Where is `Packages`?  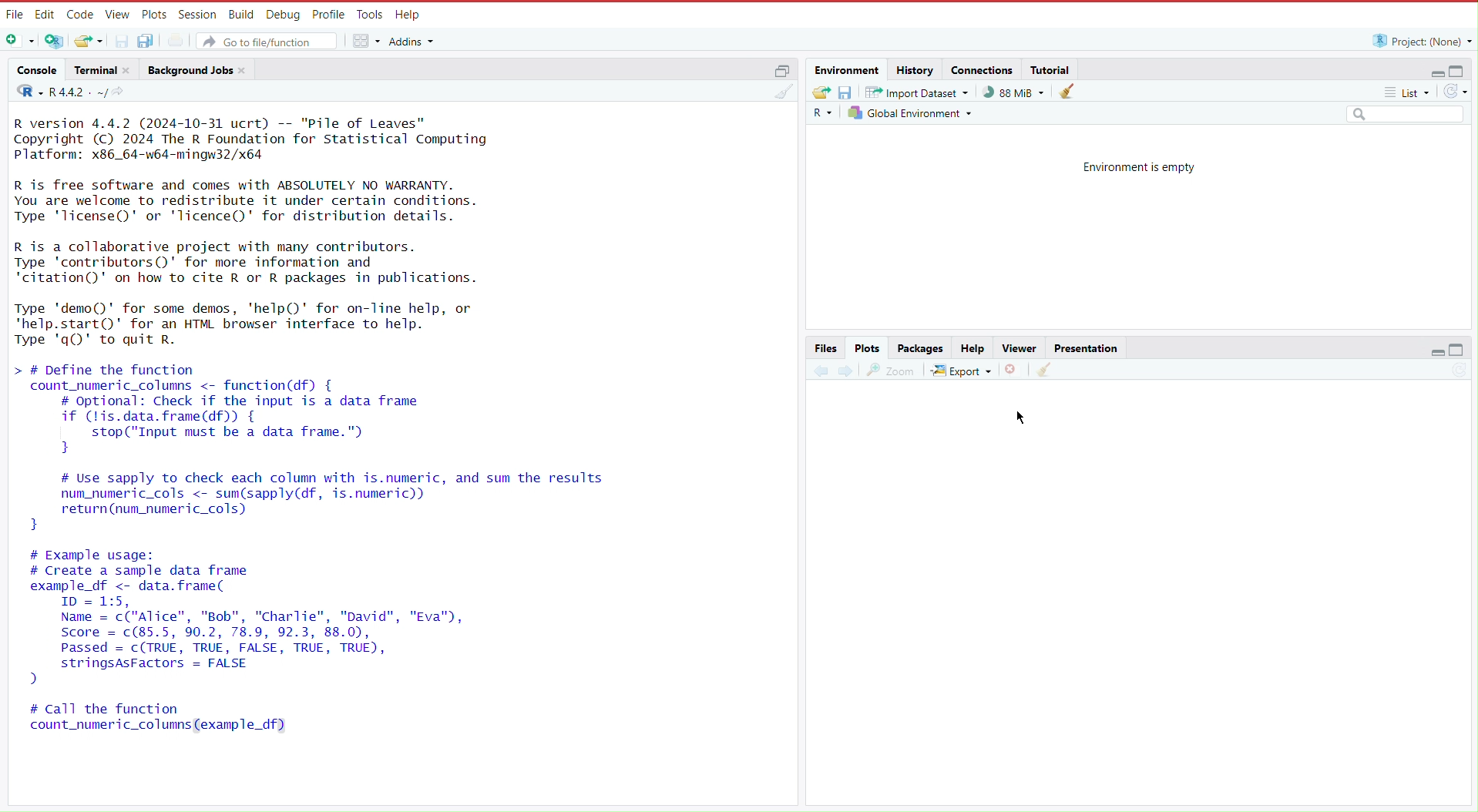
Packages is located at coordinates (922, 348).